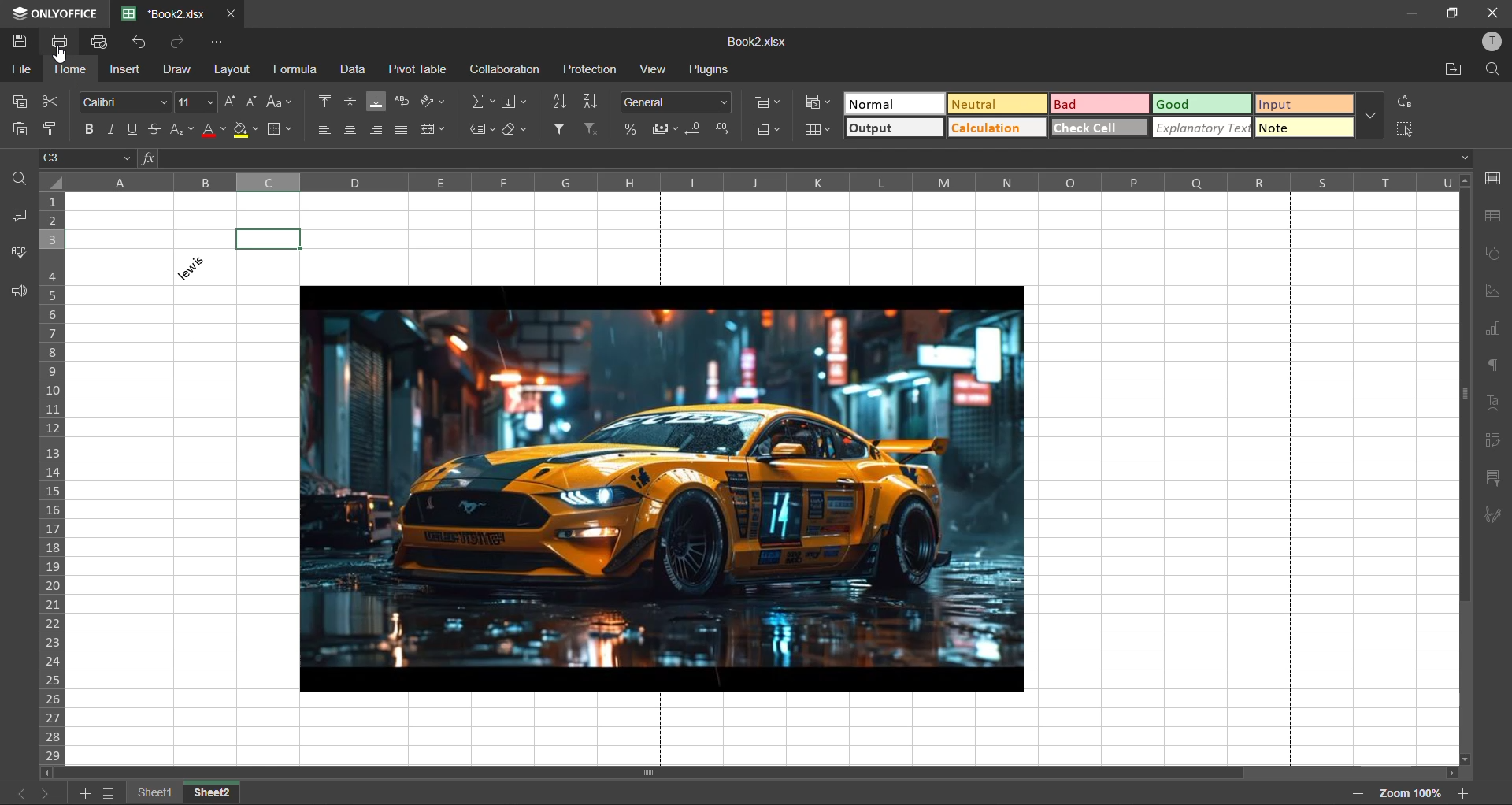 Image resolution: width=1512 pixels, height=805 pixels. I want to click on fill color, so click(245, 131).